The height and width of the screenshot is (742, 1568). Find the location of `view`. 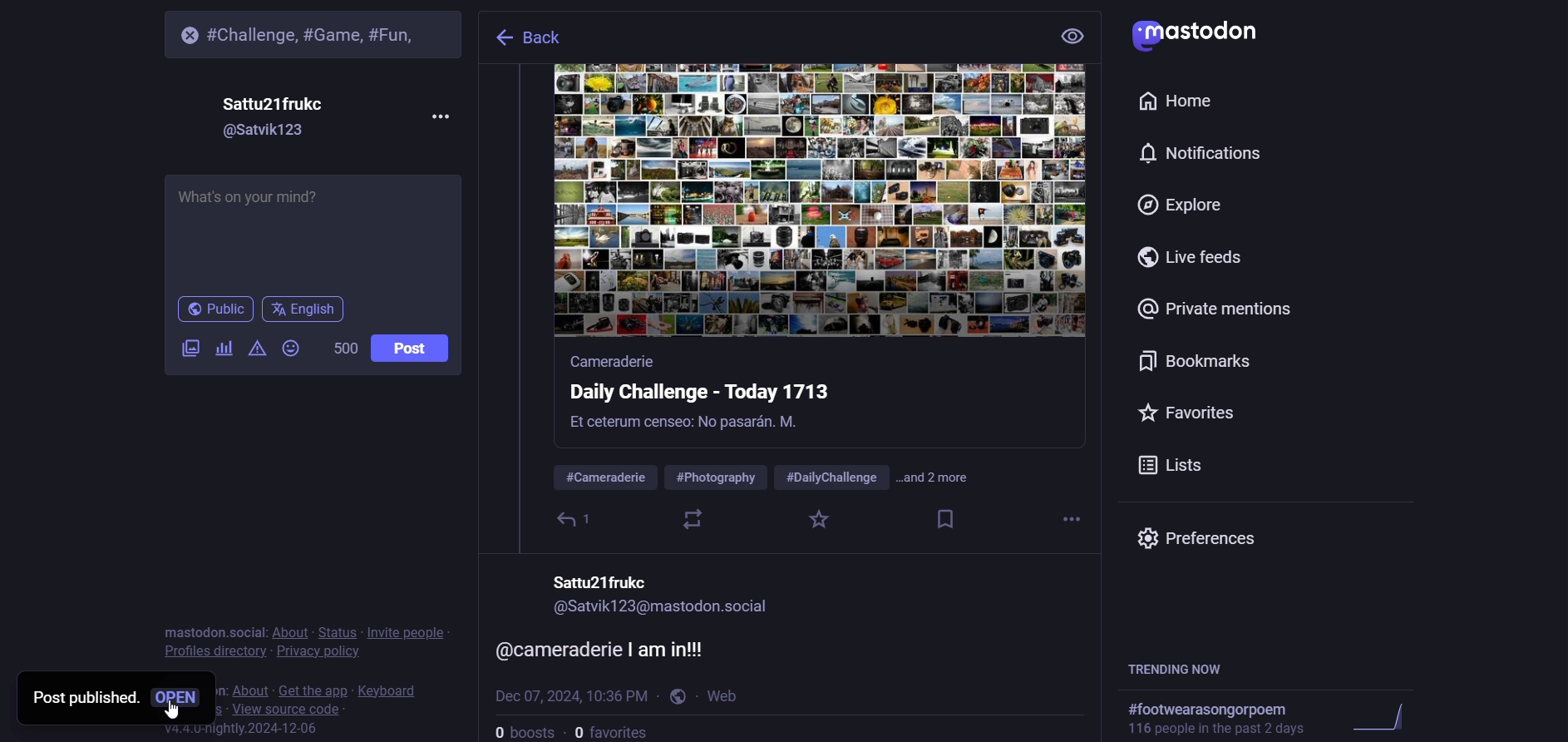

view is located at coordinates (1069, 39).